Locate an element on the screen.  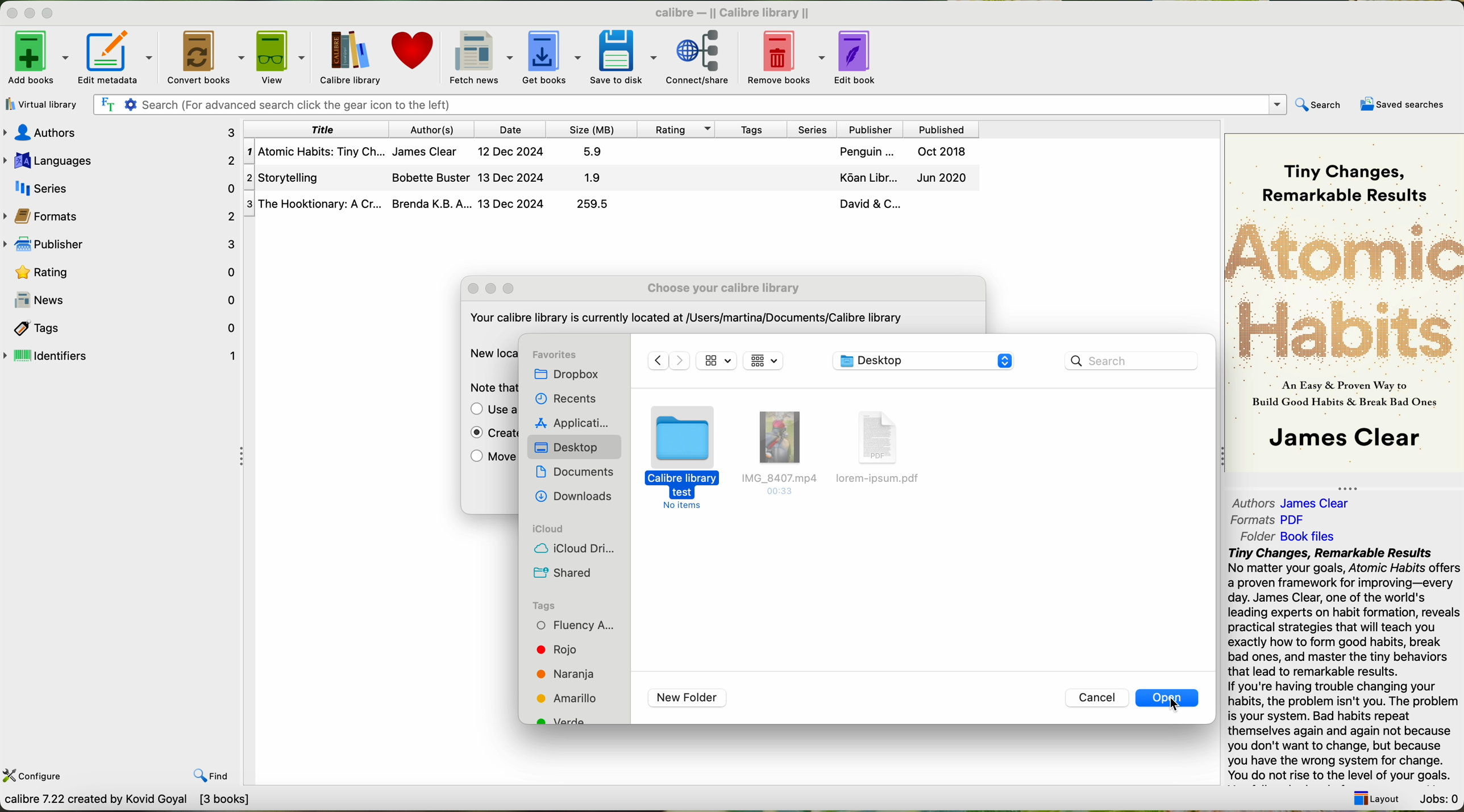
cursor is located at coordinates (678, 442).